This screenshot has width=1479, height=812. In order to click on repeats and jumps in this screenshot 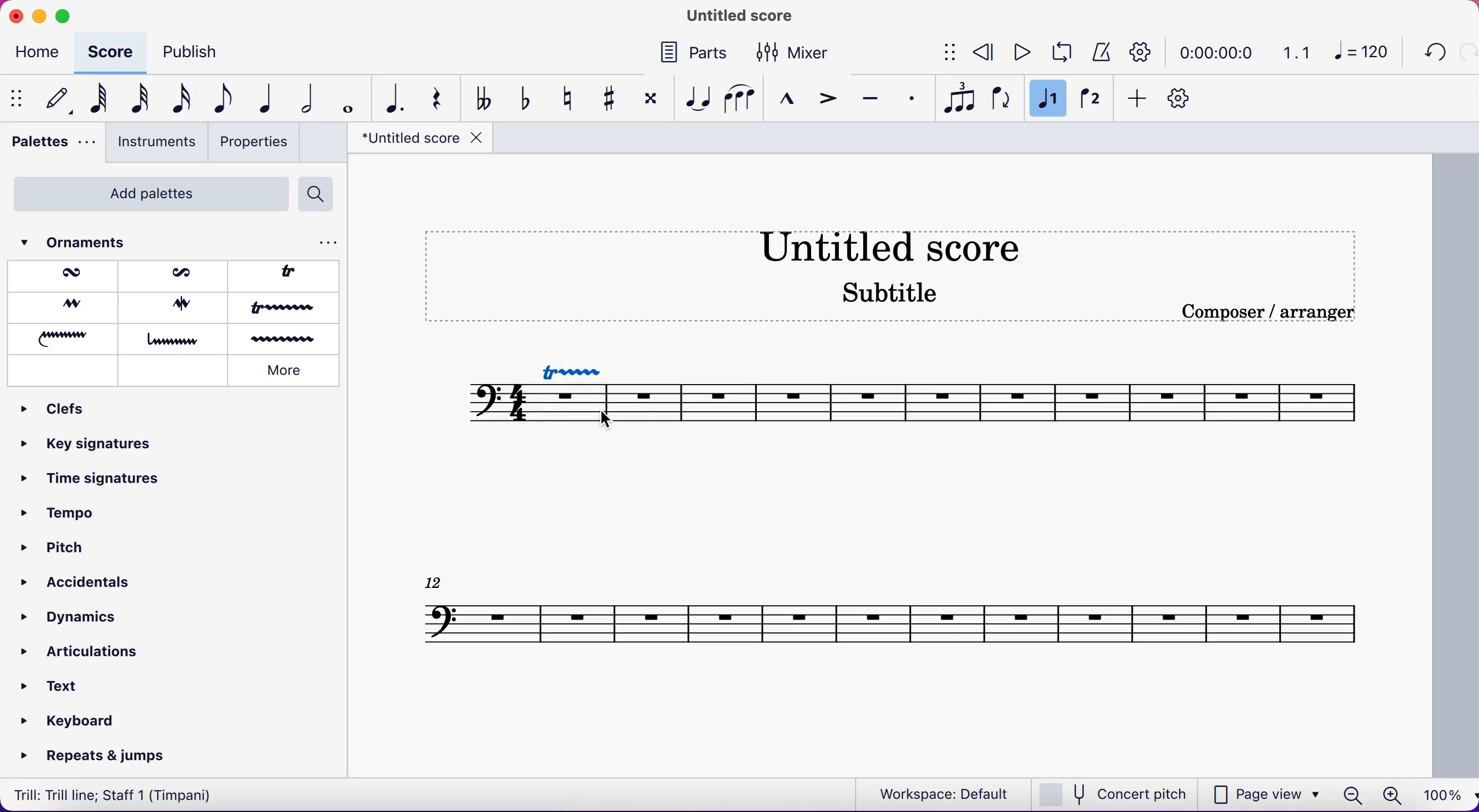, I will do `click(96, 757)`.